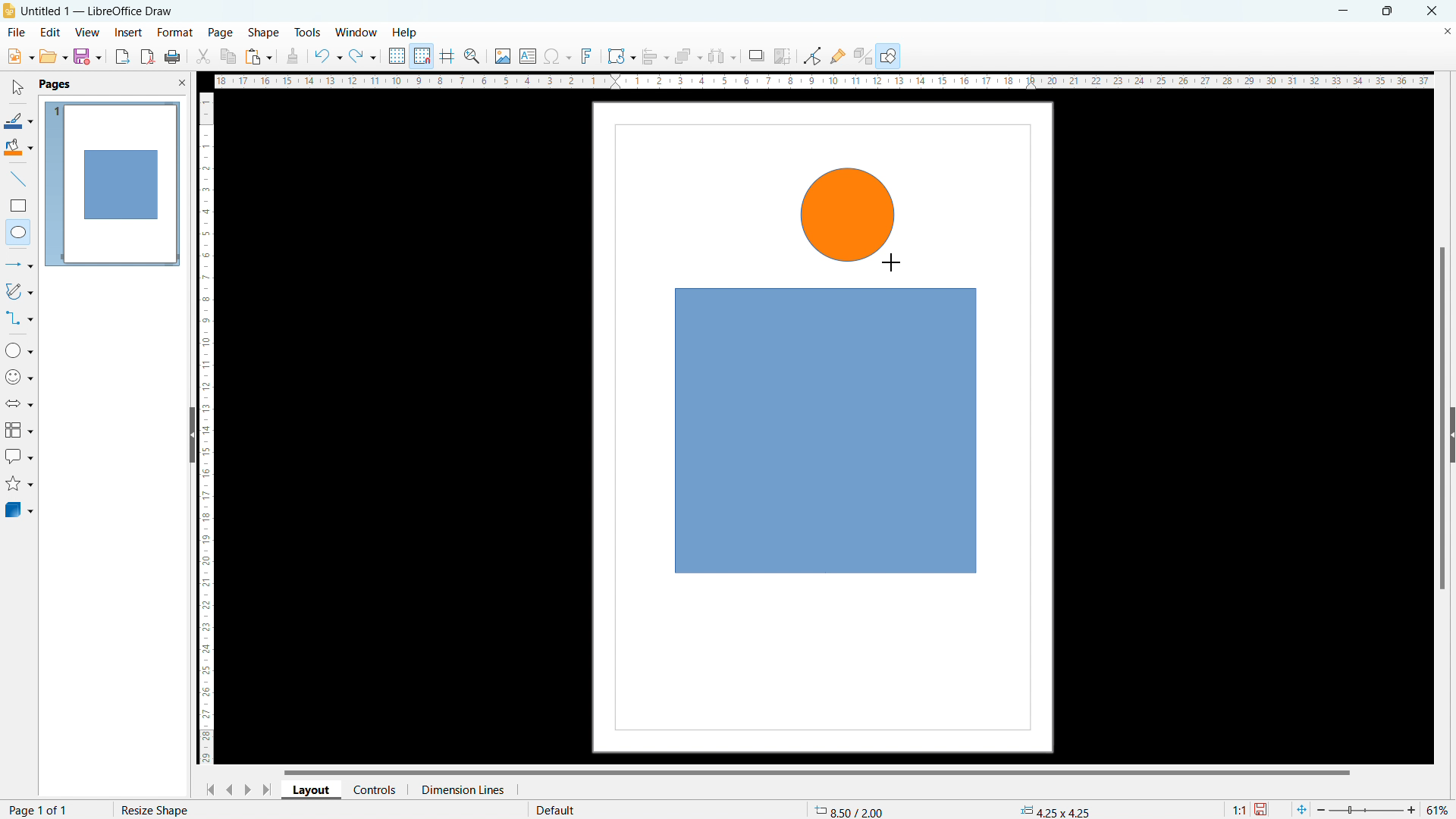  What do you see at coordinates (39, 809) in the screenshot?
I see `current page` at bounding box center [39, 809].